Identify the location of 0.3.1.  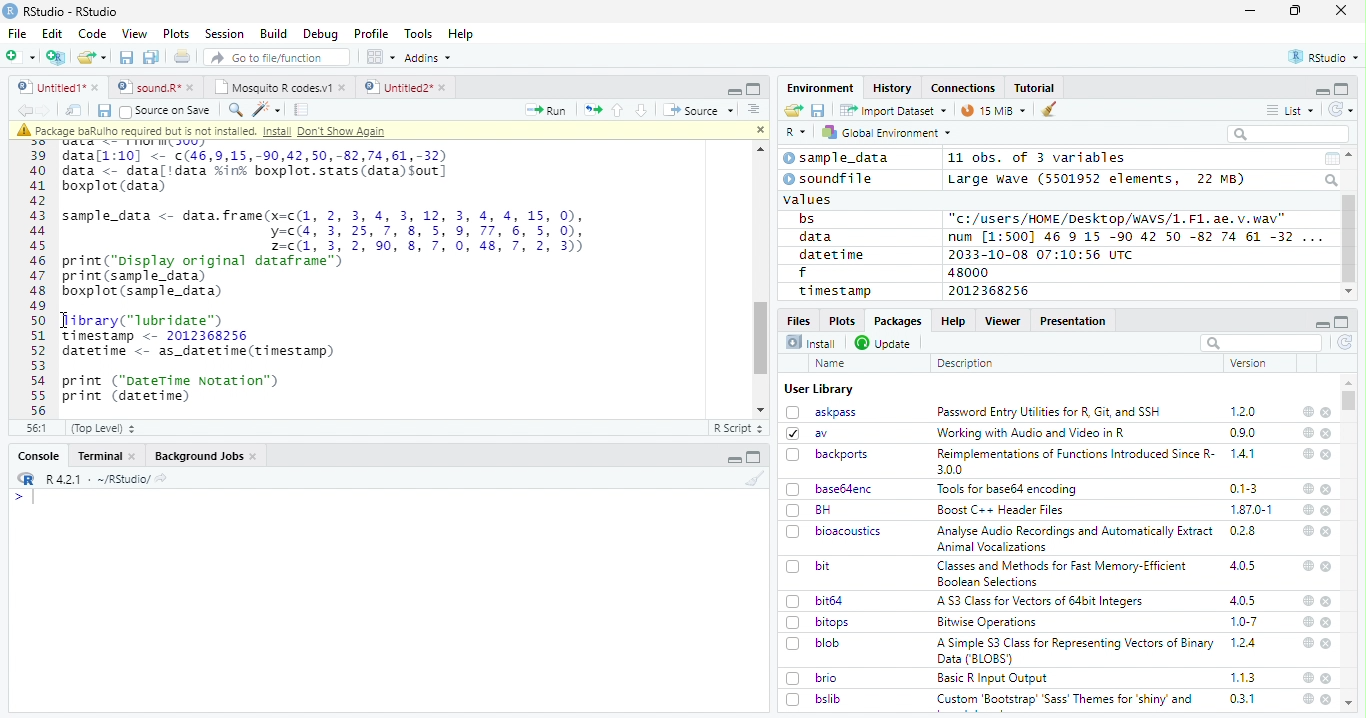
(1242, 698).